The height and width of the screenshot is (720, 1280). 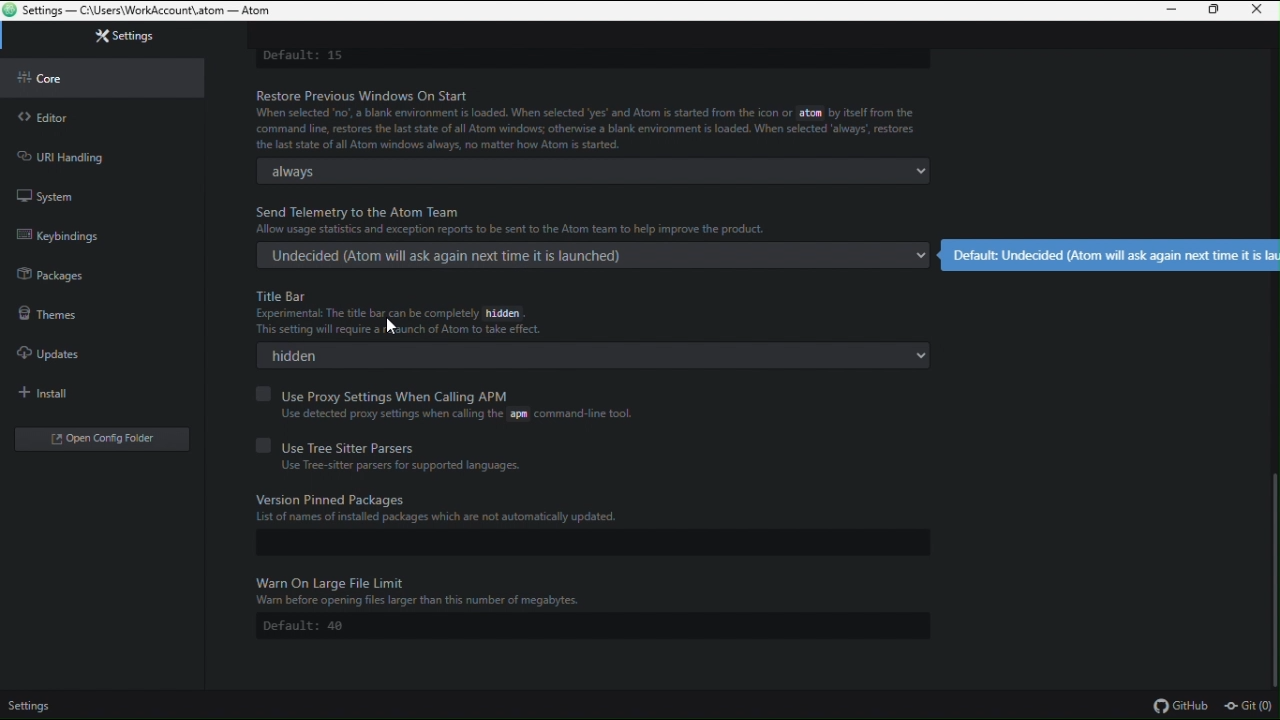 I want to click on core, so click(x=99, y=75).